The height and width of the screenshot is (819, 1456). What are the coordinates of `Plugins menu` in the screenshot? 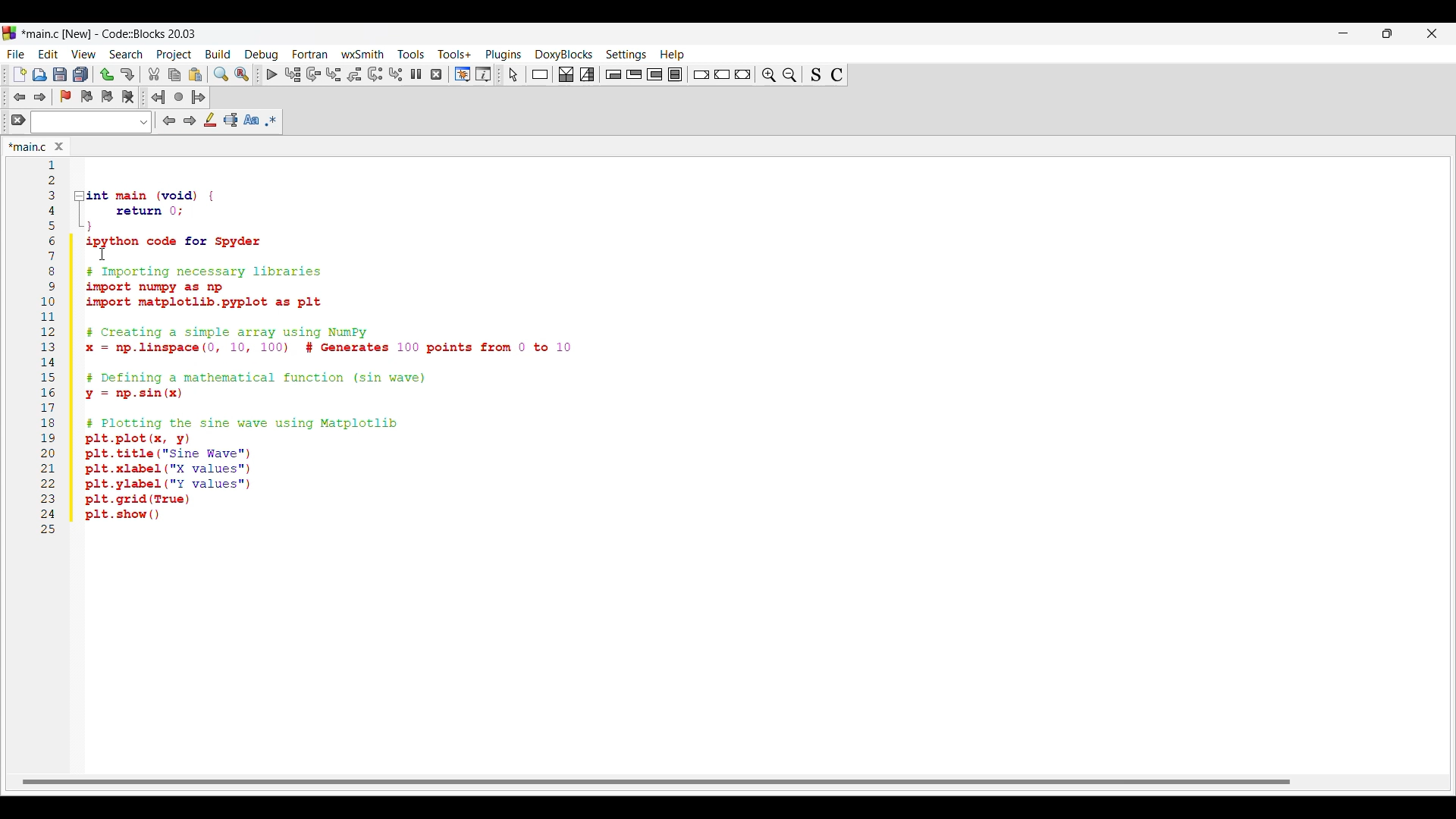 It's located at (504, 55).